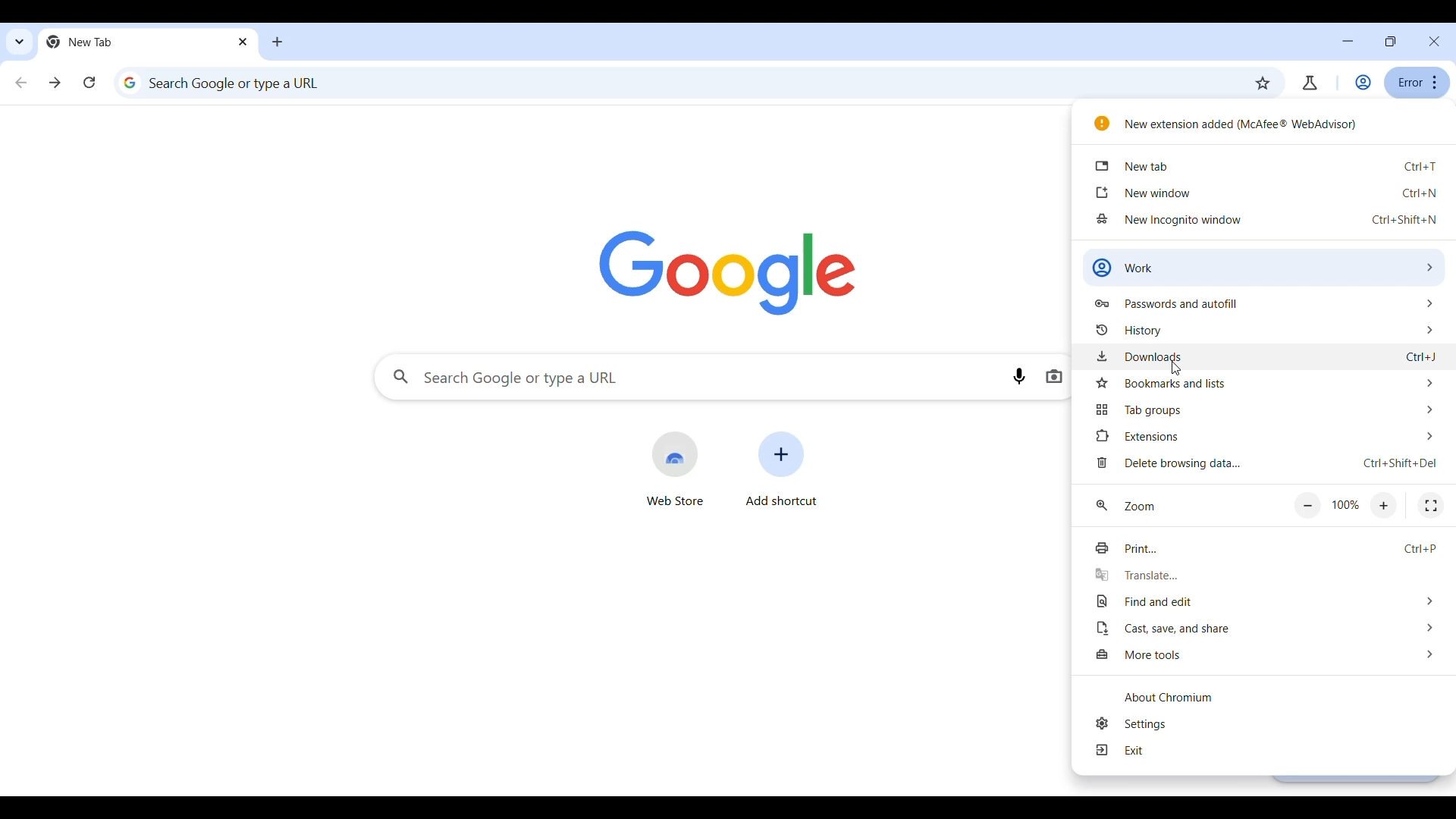 This screenshot has height=819, width=1456. Describe the element at coordinates (1266, 356) in the screenshot. I see `downloads ` at that location.